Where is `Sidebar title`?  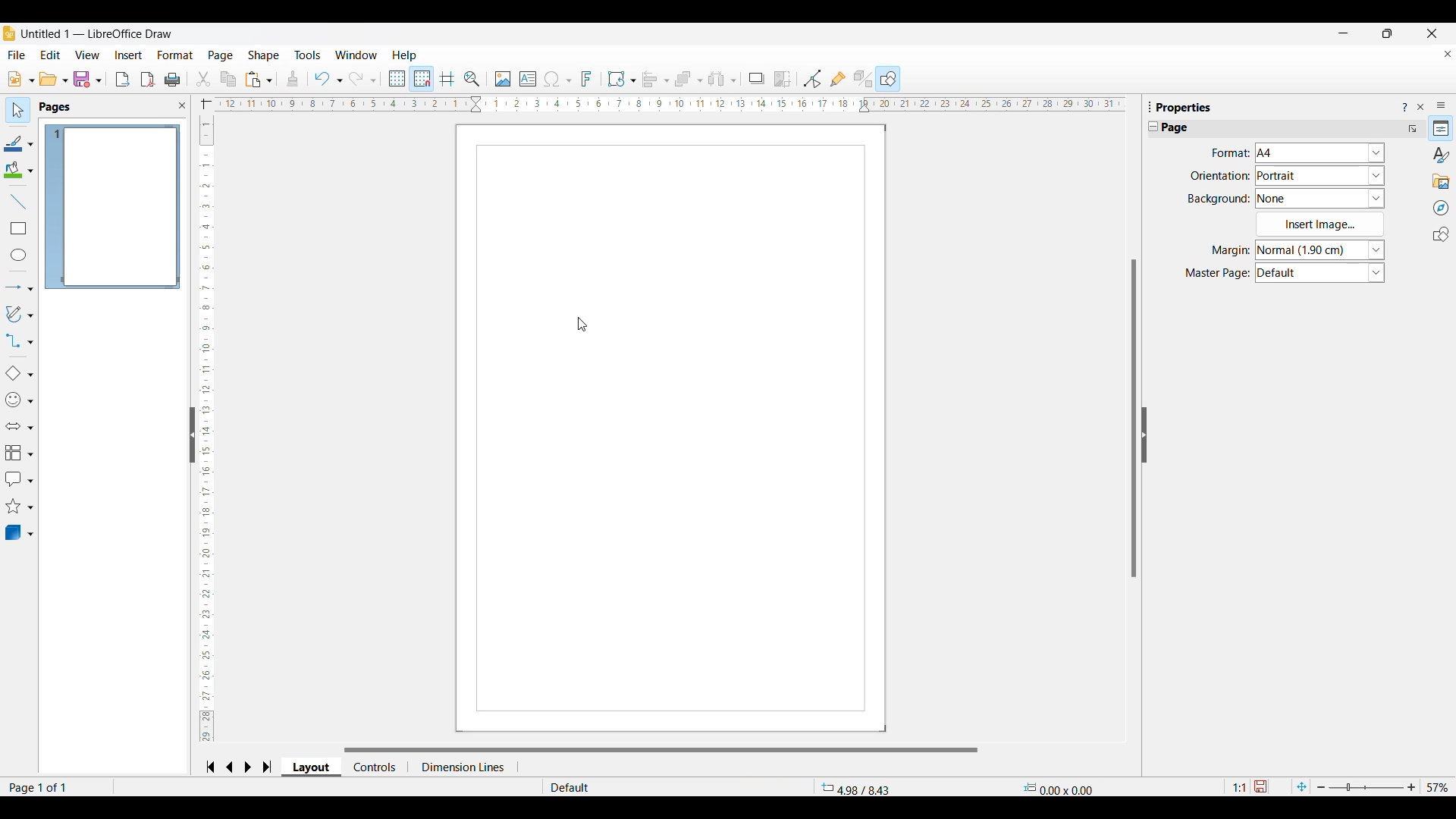 Sidebar title is located at coordinates (1185, 107).